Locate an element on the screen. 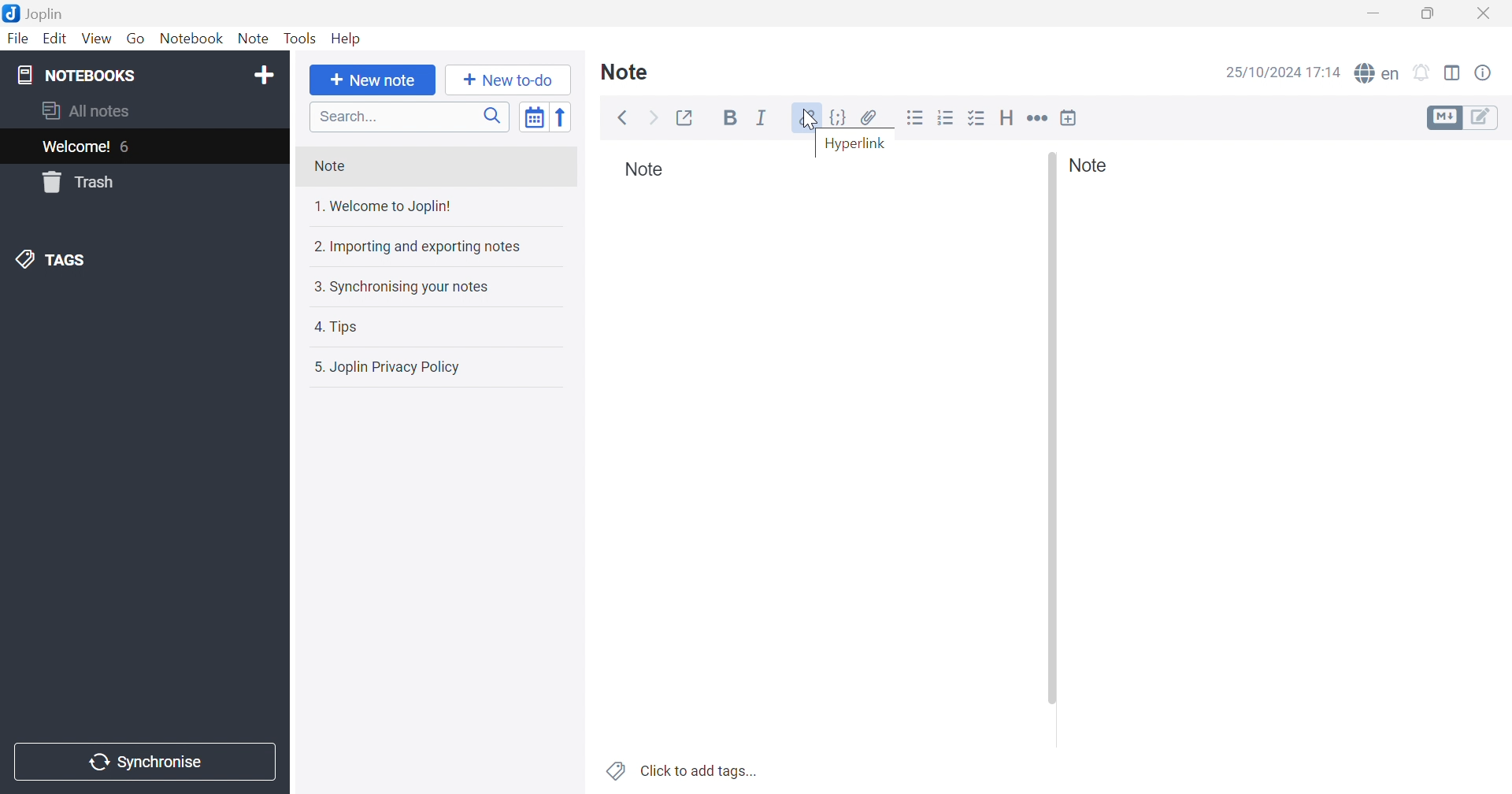 Image resolution: width=1512 pixels, height=794 pixels. View is located at coordinates (97, 39).